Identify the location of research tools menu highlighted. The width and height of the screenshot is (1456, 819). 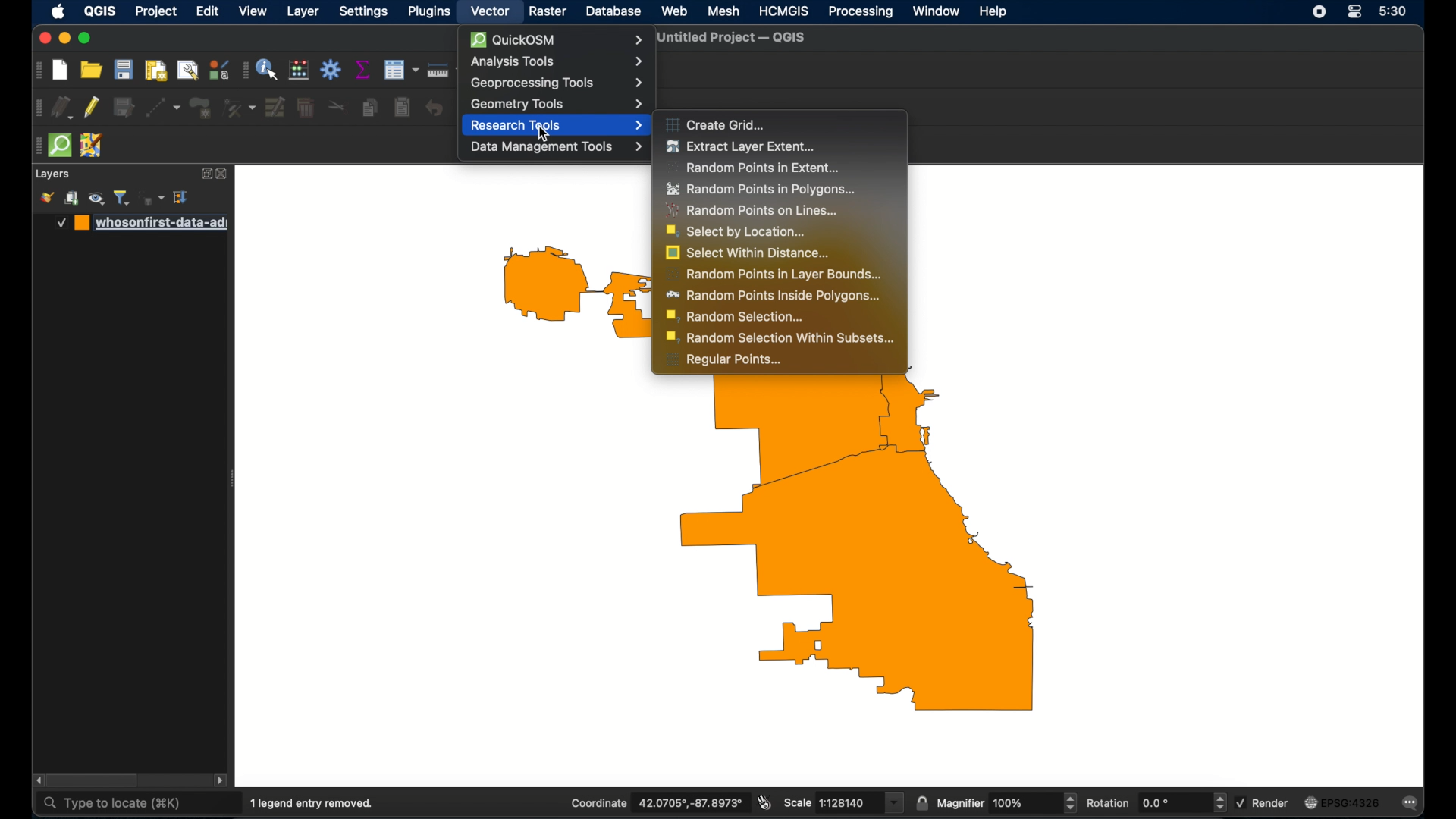
(557, 126).